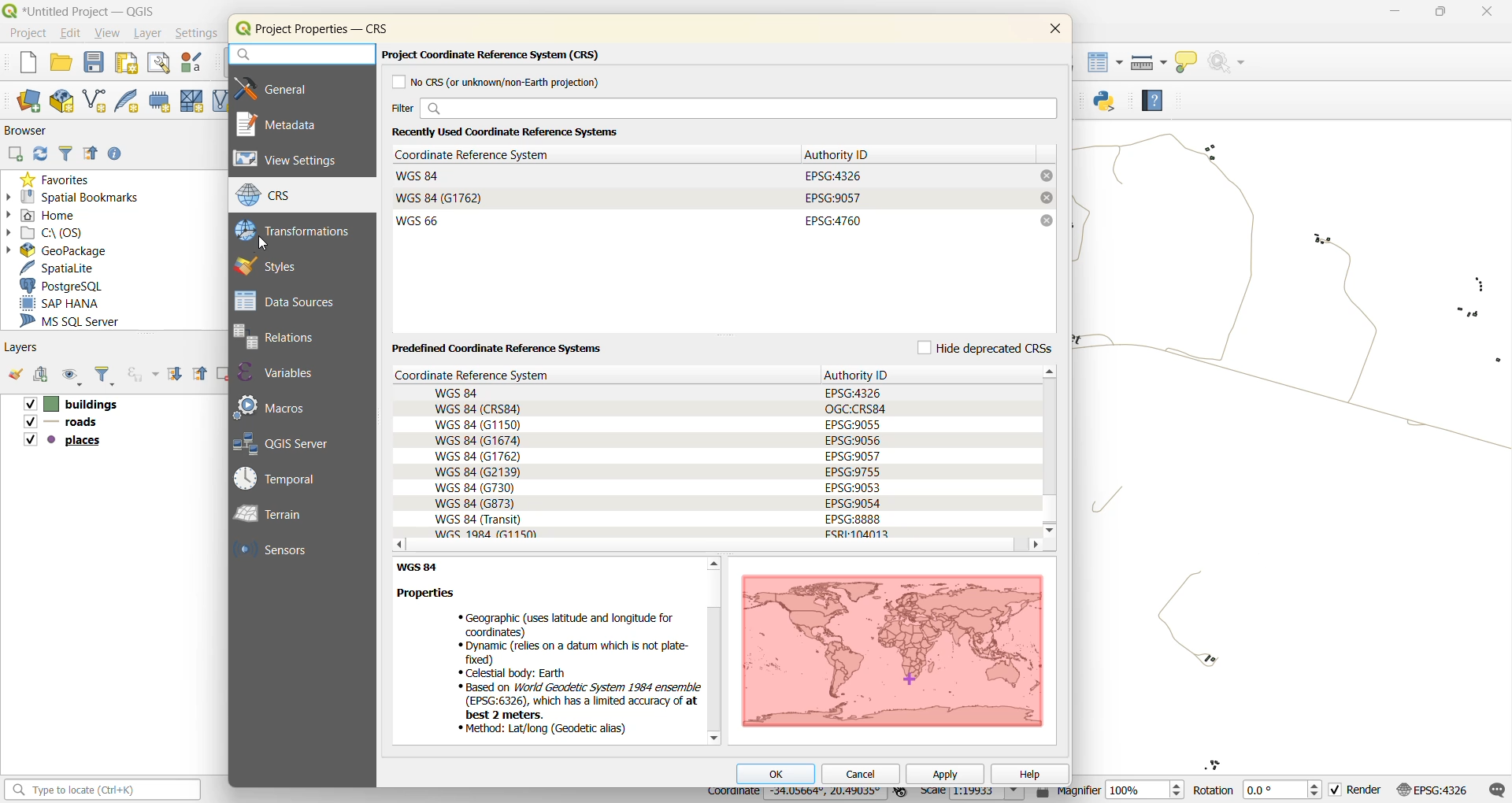 The image size is (1512, 803). I want to click on macros, so click(276, 405).